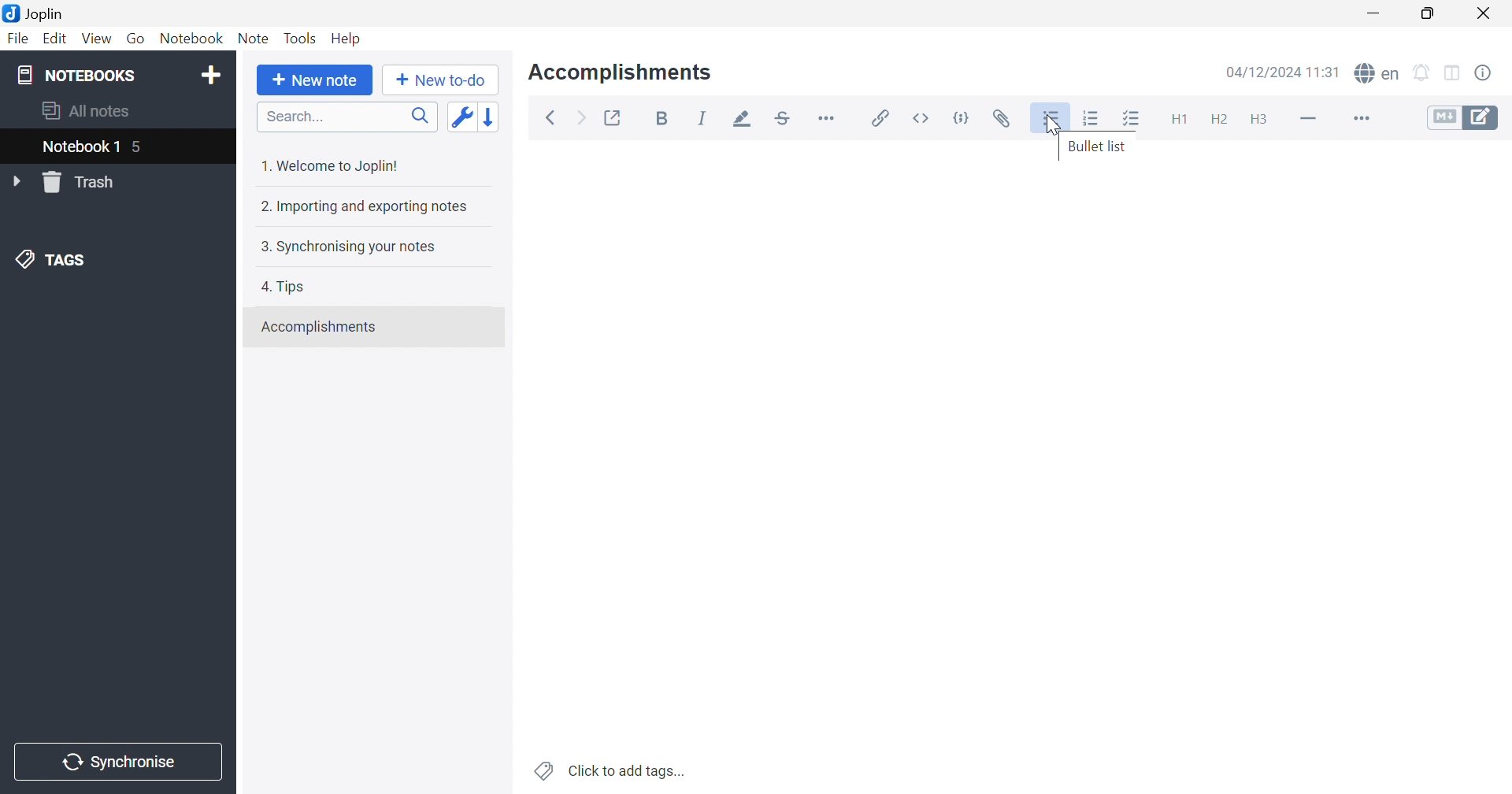  I want to click on Accomplishments, so click(321, 327).